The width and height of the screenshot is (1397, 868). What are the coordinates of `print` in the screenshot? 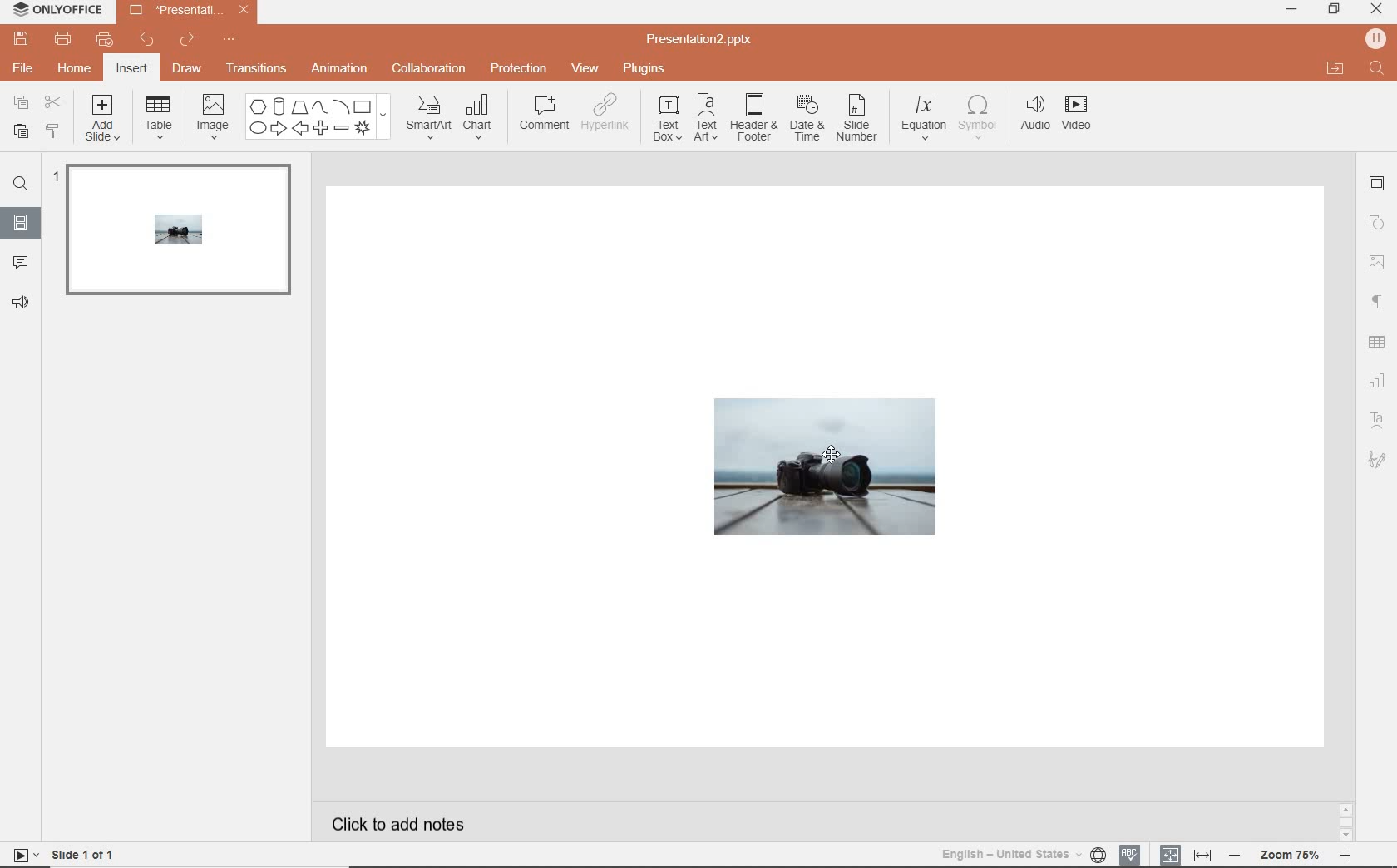 It's located at (64, 39).